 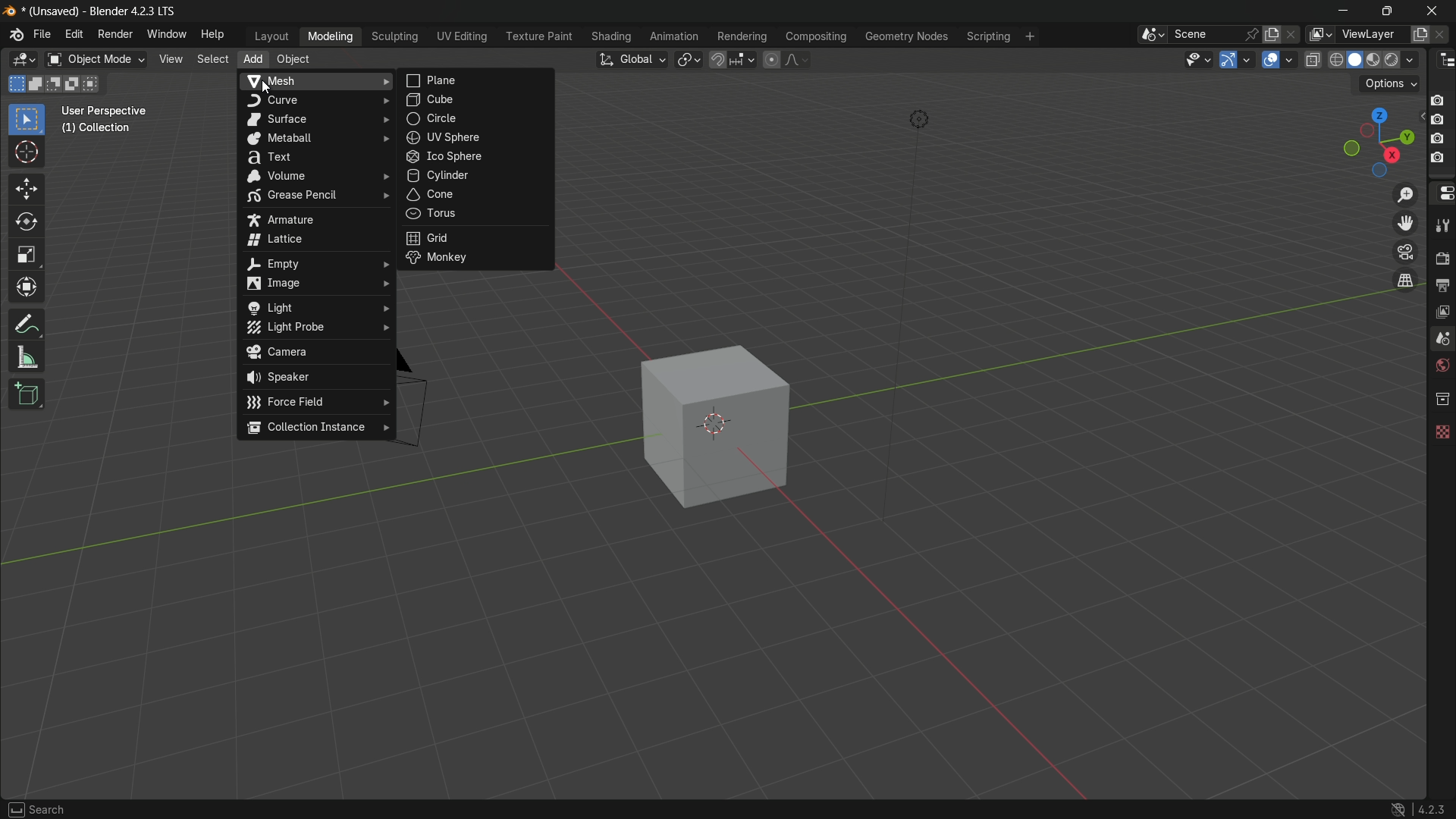 I want to click on empty, so click(x=315, y=262).